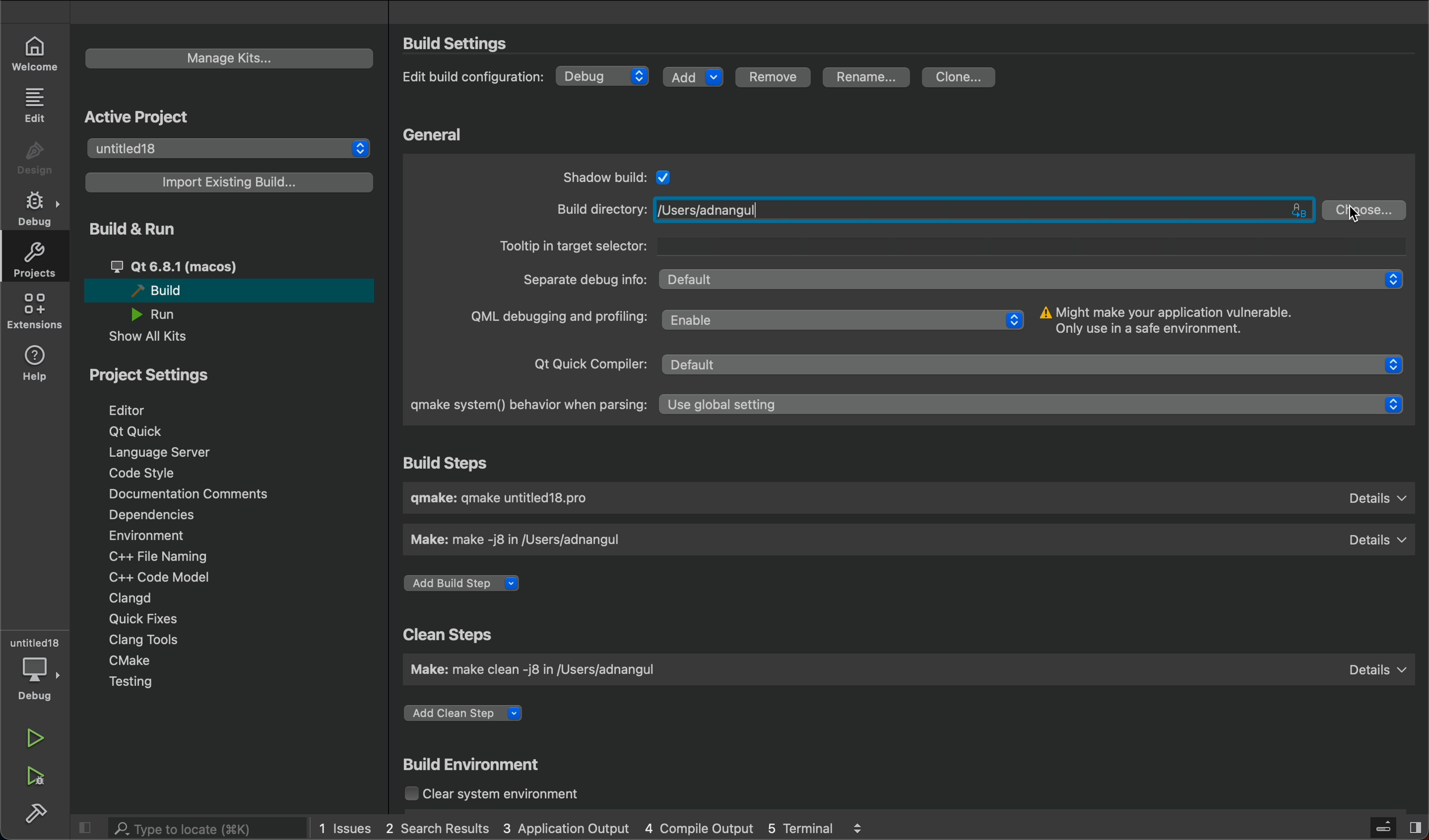 Image resolution: width=1429 pixels, height=840 pixels. Describe the element at coordinates (88, 828) in the screenshot. I see `close slidebar` at that location.